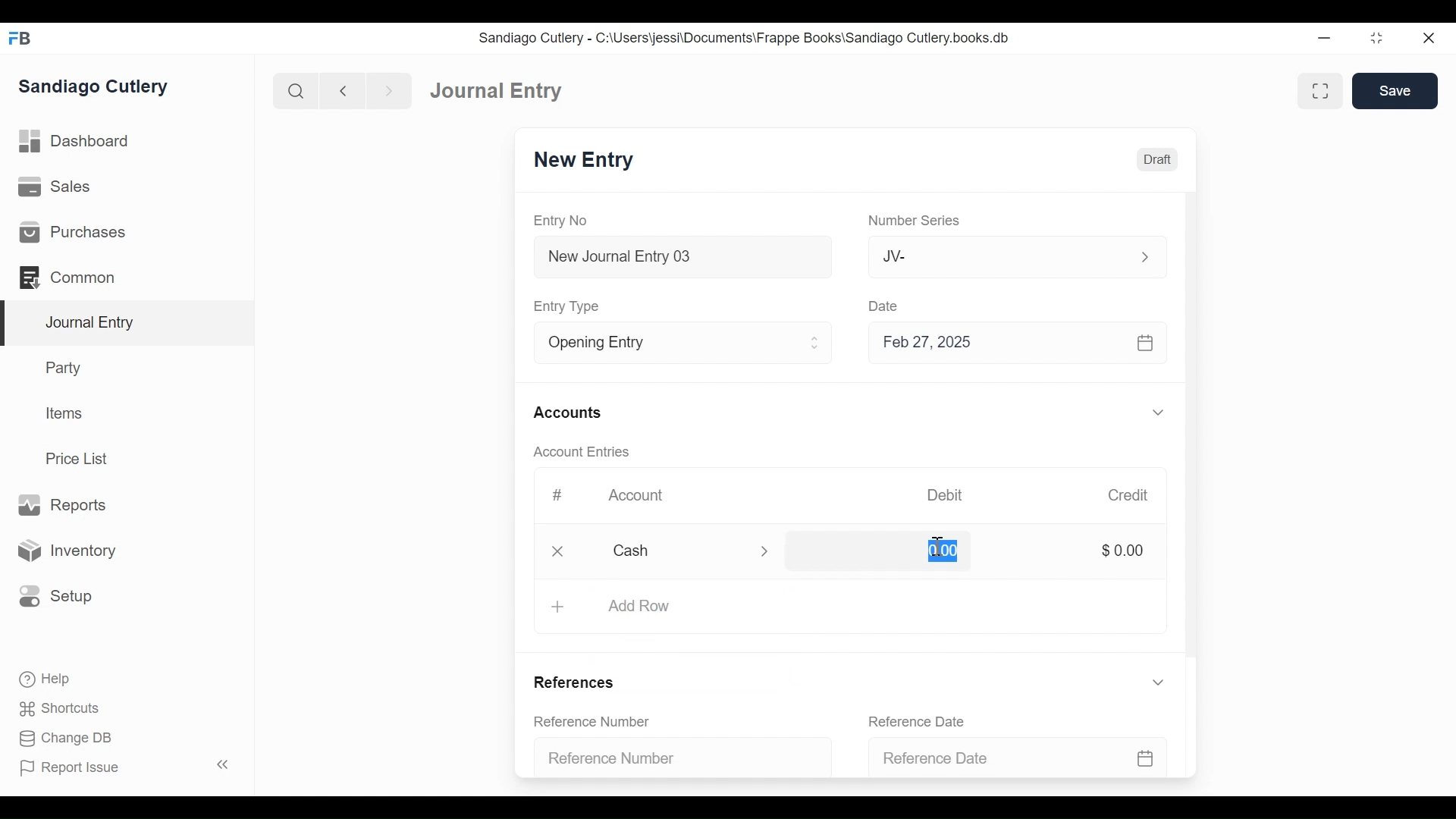  Describe the element at coordinates (674, 755) in the screenshot. I see `Reference Number` at that location.